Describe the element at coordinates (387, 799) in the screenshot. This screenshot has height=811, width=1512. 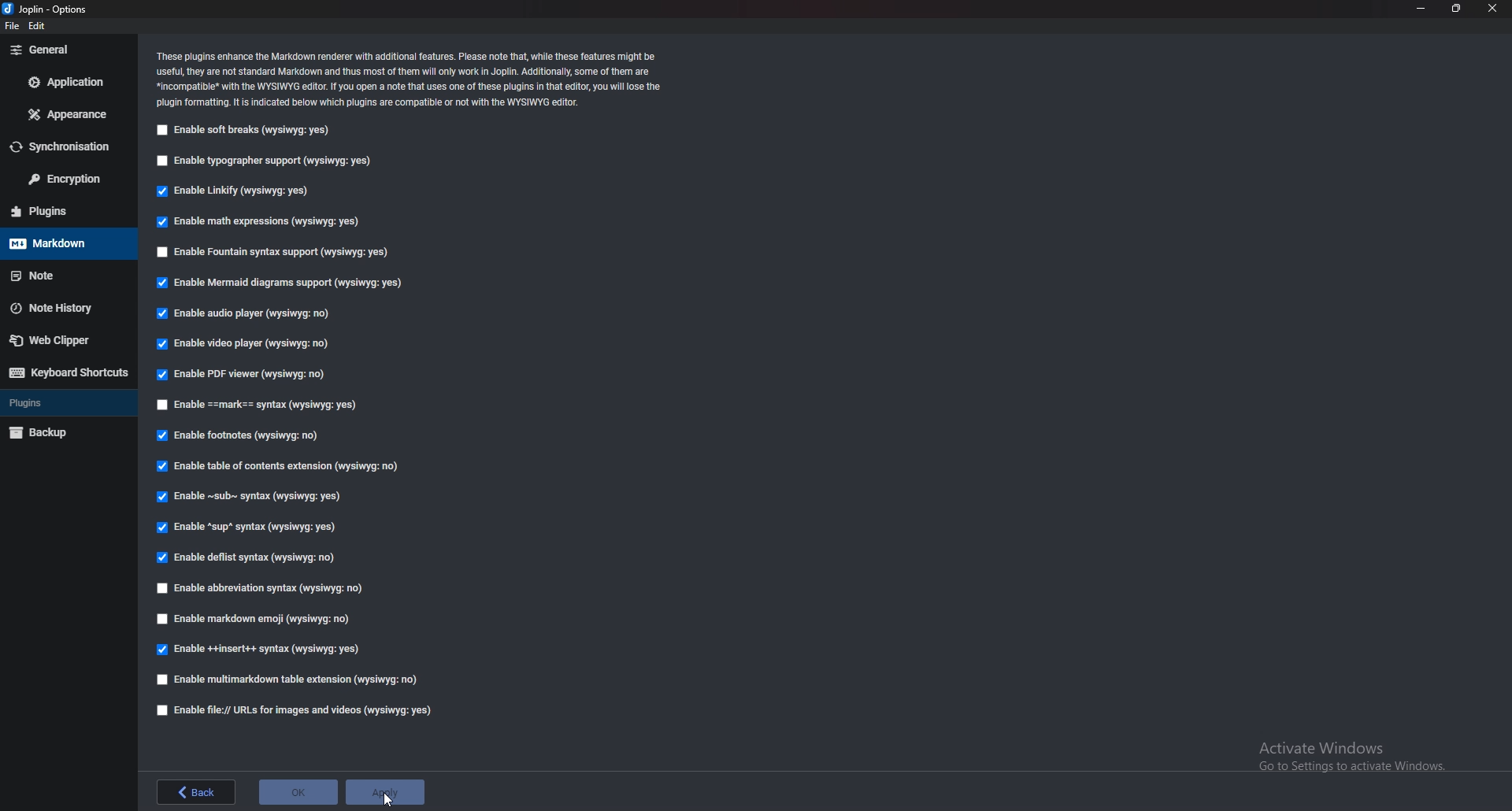
I see `Cursor` at that location.